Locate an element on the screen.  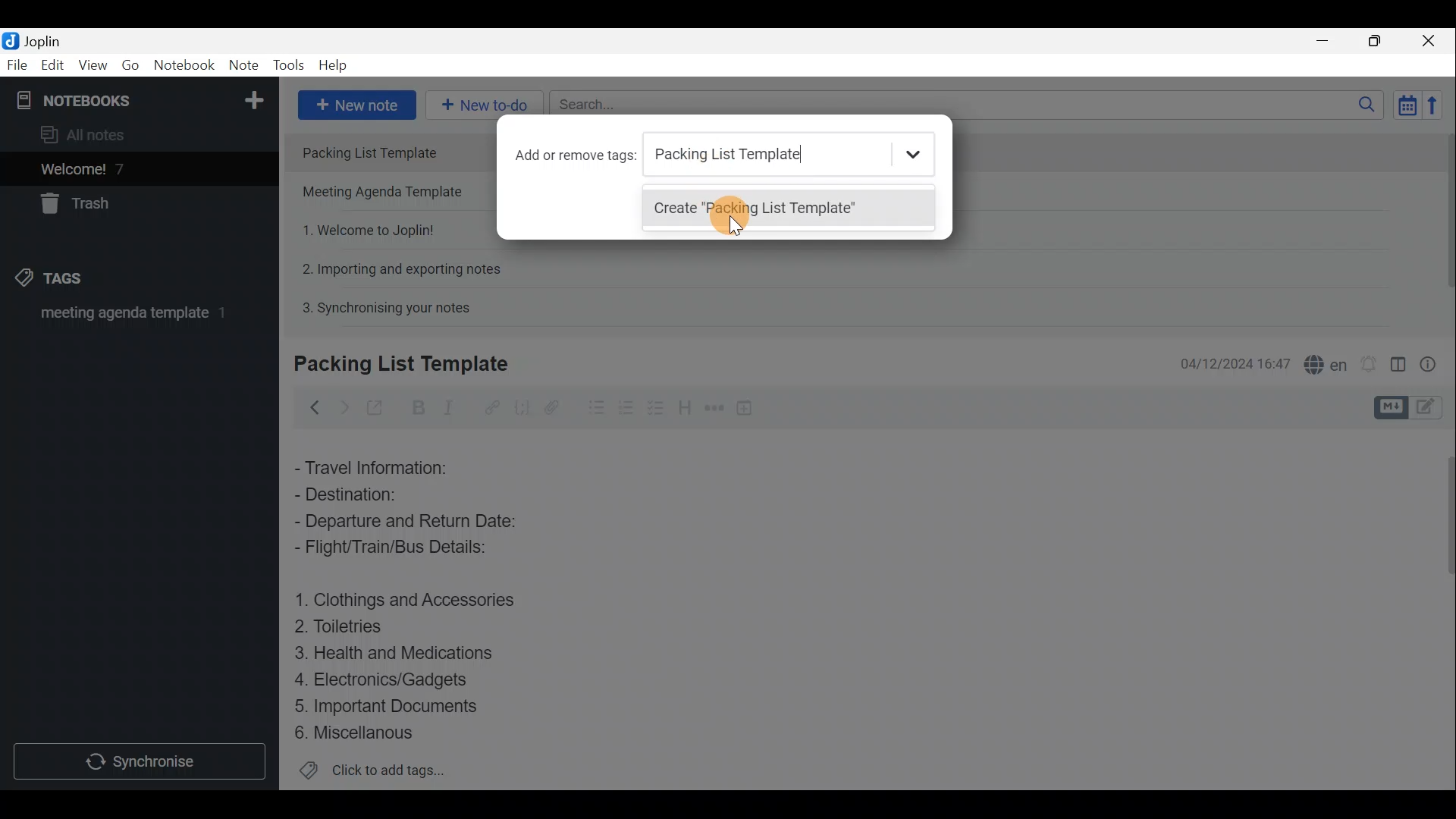
Toiletries is located at coordinates (349, 629).